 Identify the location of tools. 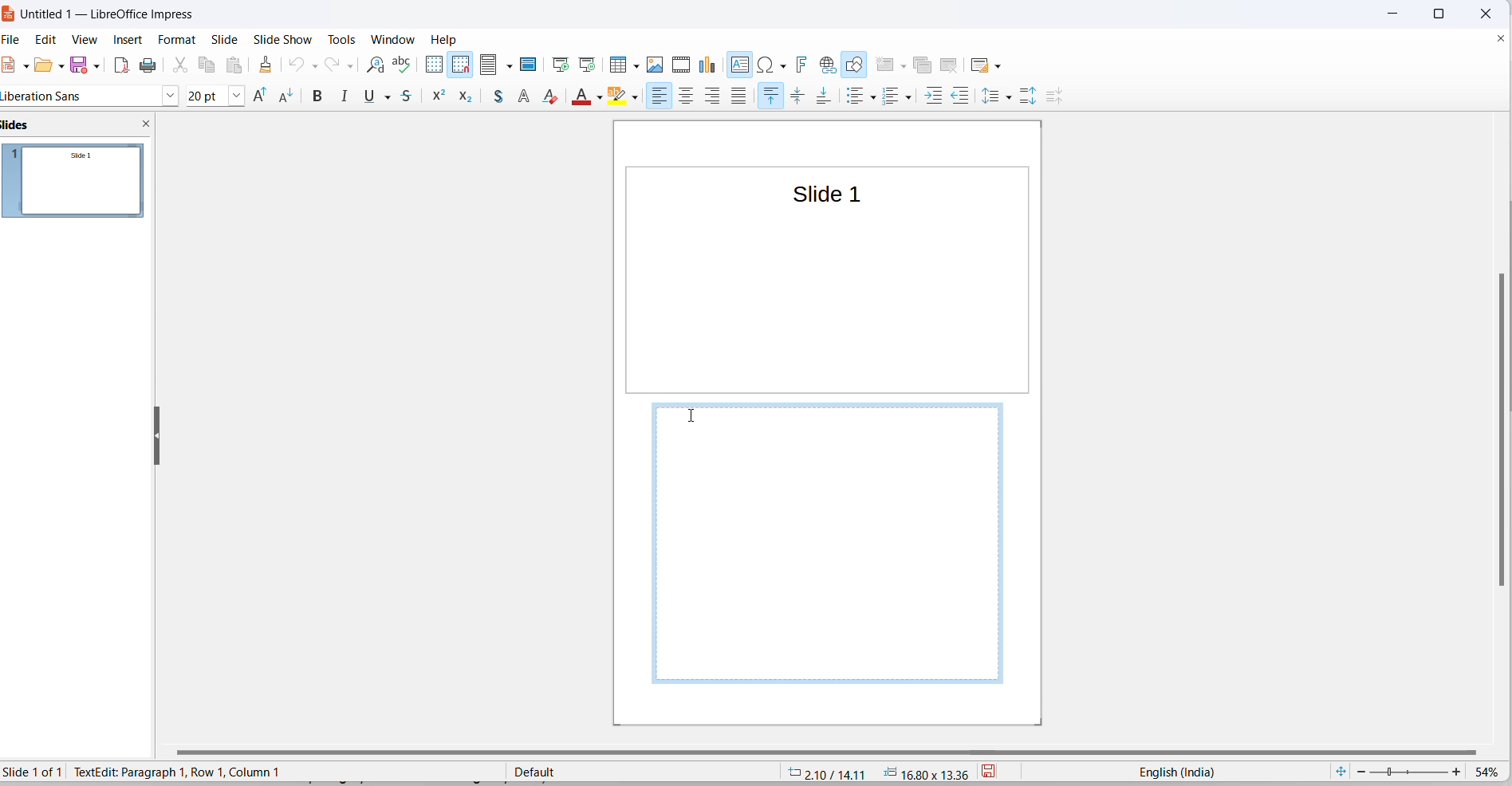
(344, 39).